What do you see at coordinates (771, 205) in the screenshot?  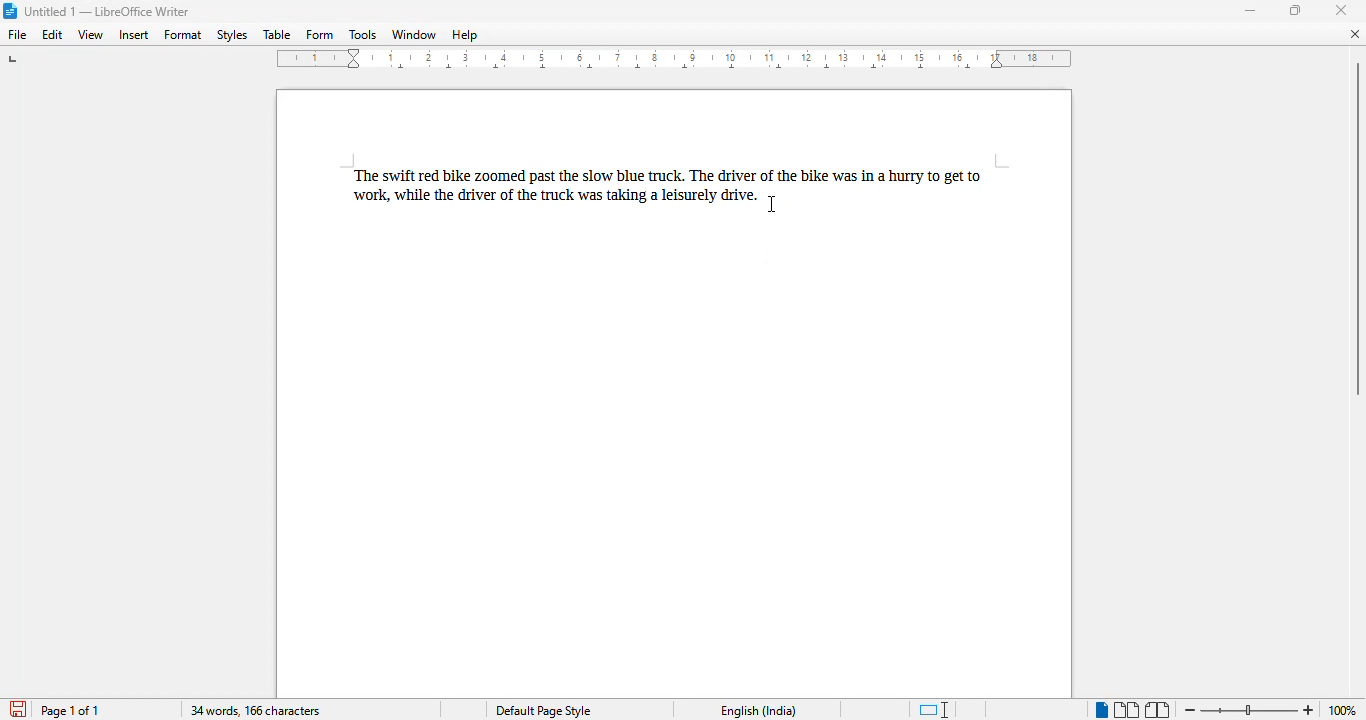 I see `cursor` at bounding box center [771, 205].